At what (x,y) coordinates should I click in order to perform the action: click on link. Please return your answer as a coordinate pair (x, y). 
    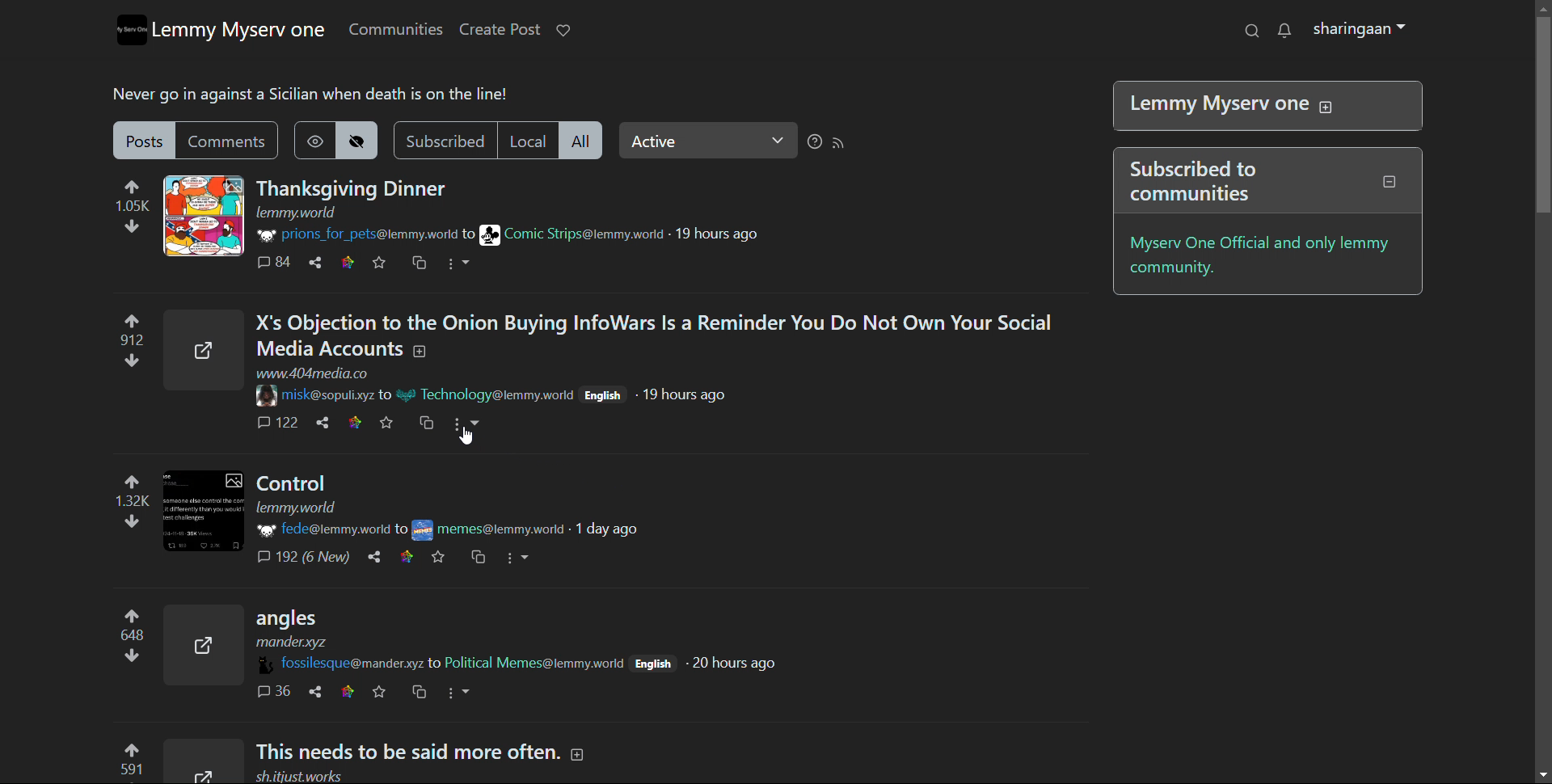
    Looking at the image, I should click on (346, 692).